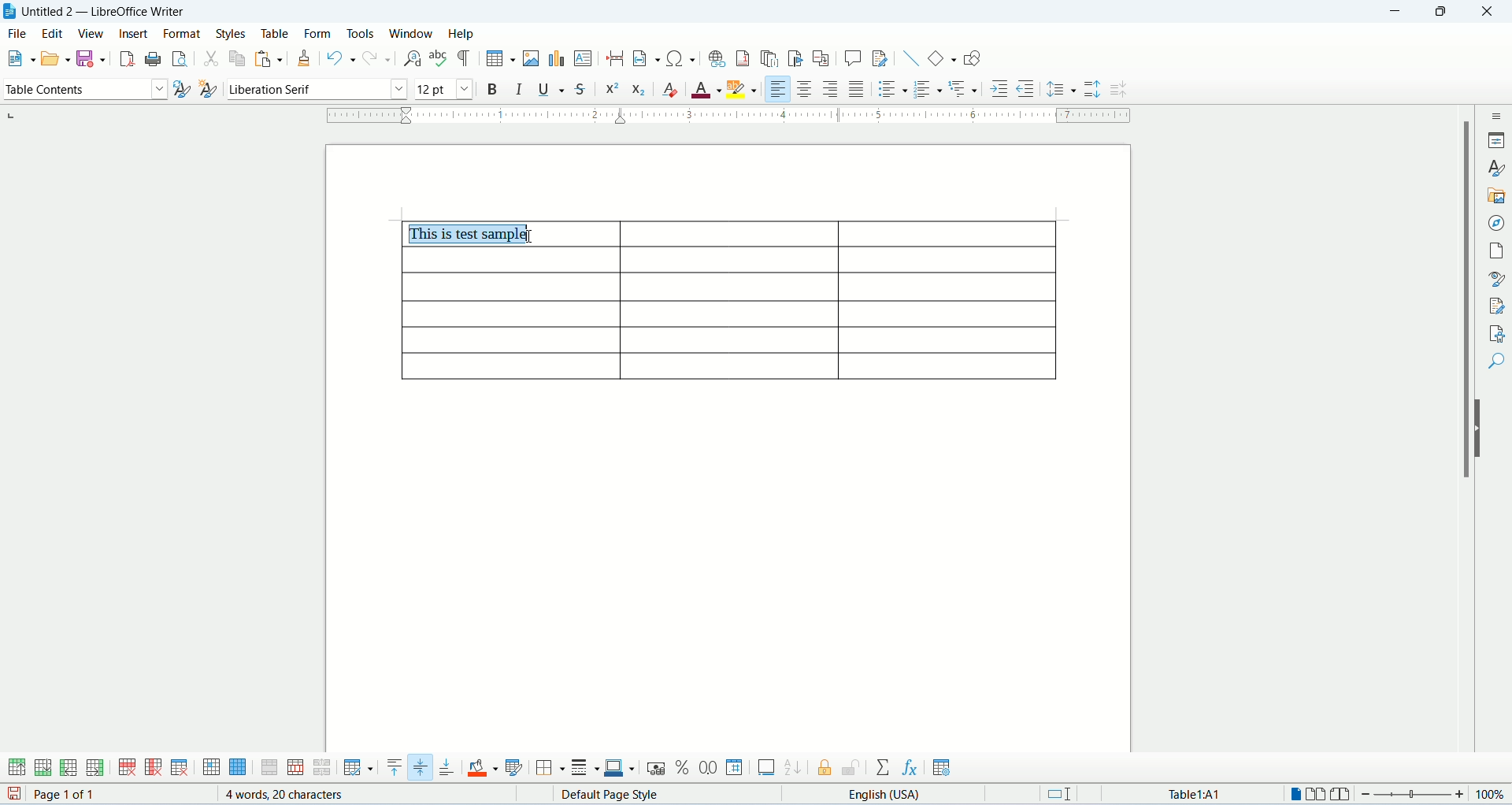 The image size is (1512, 805). I want to click on align bottom, so click(447, 767).